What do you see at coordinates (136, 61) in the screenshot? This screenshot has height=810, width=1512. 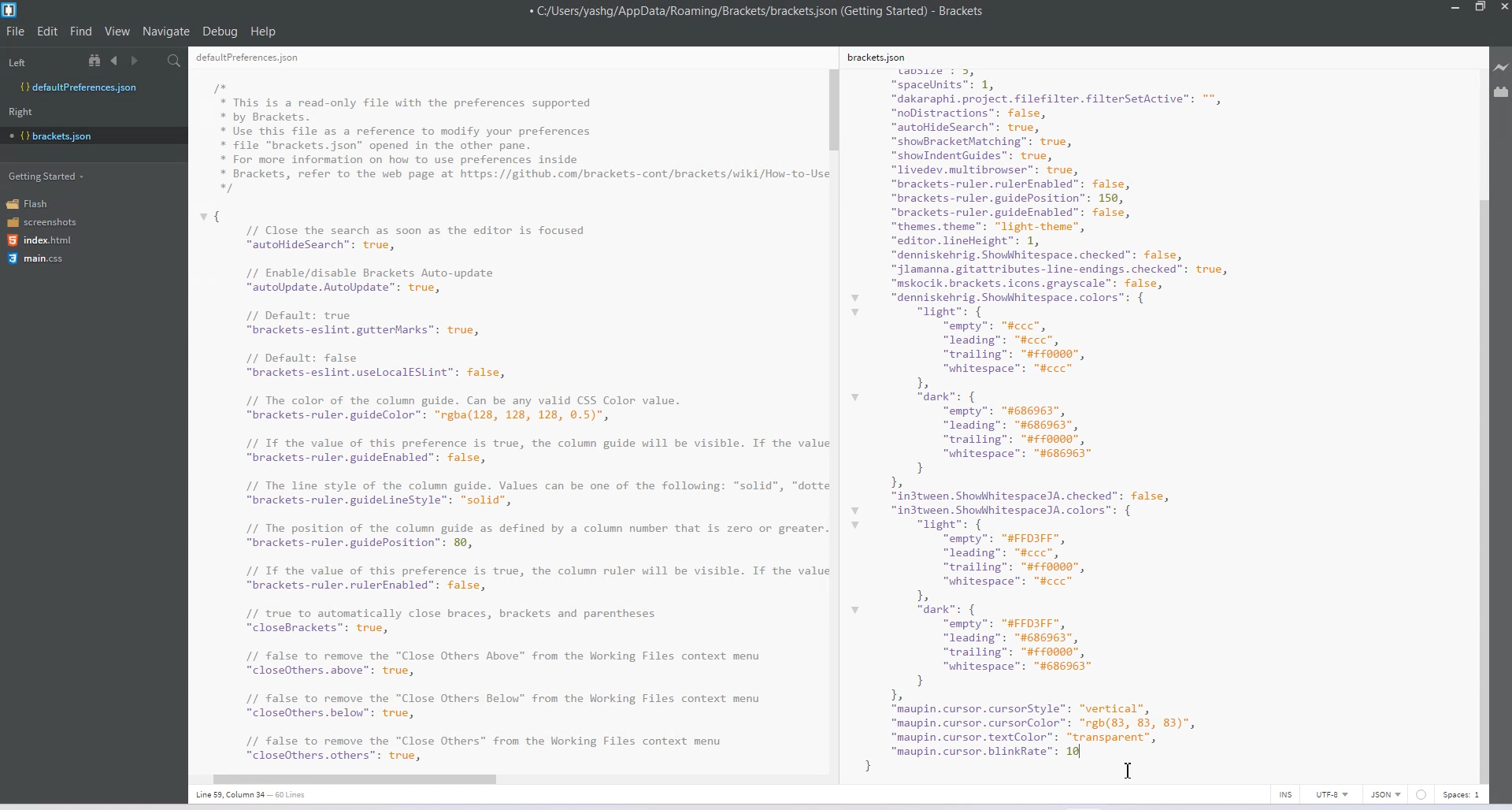 I see `Navigate Forward` at bounding box center [136, 61].